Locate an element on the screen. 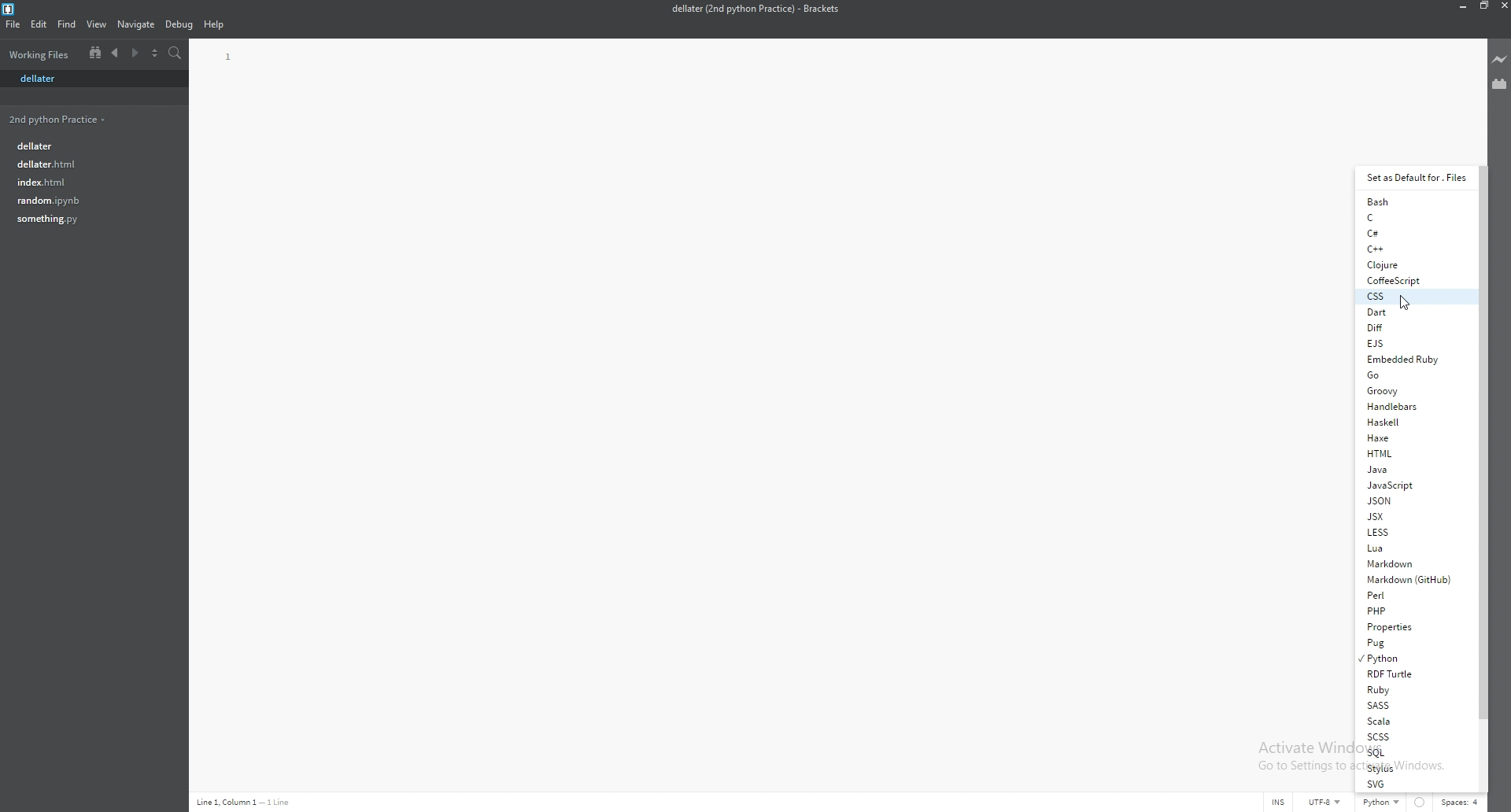 Image resolution: width=1511 pixels, height=812 pixels. previous is located at coordinates (116, 54).